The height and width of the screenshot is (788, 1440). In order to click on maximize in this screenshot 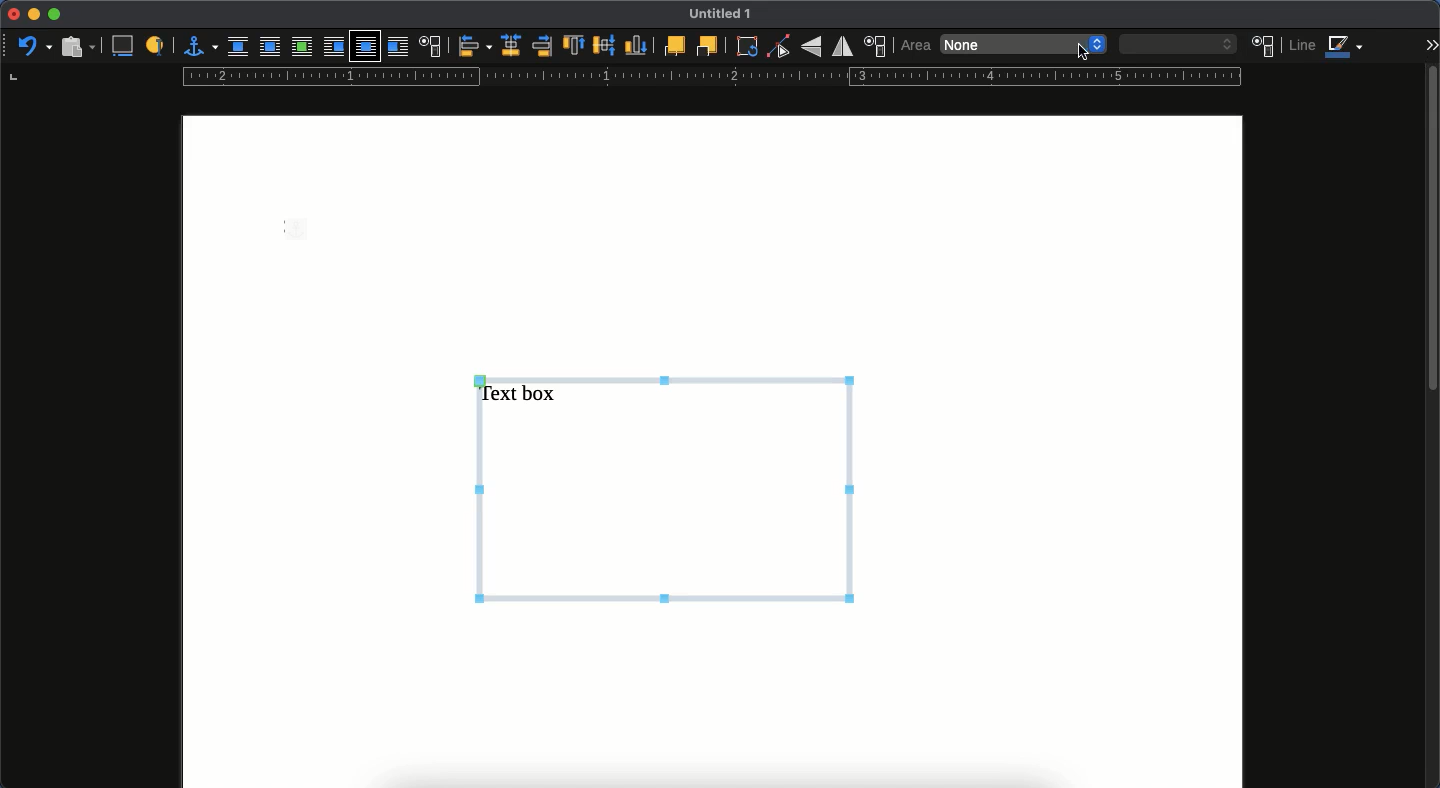, I will do `click(56, 15)`.